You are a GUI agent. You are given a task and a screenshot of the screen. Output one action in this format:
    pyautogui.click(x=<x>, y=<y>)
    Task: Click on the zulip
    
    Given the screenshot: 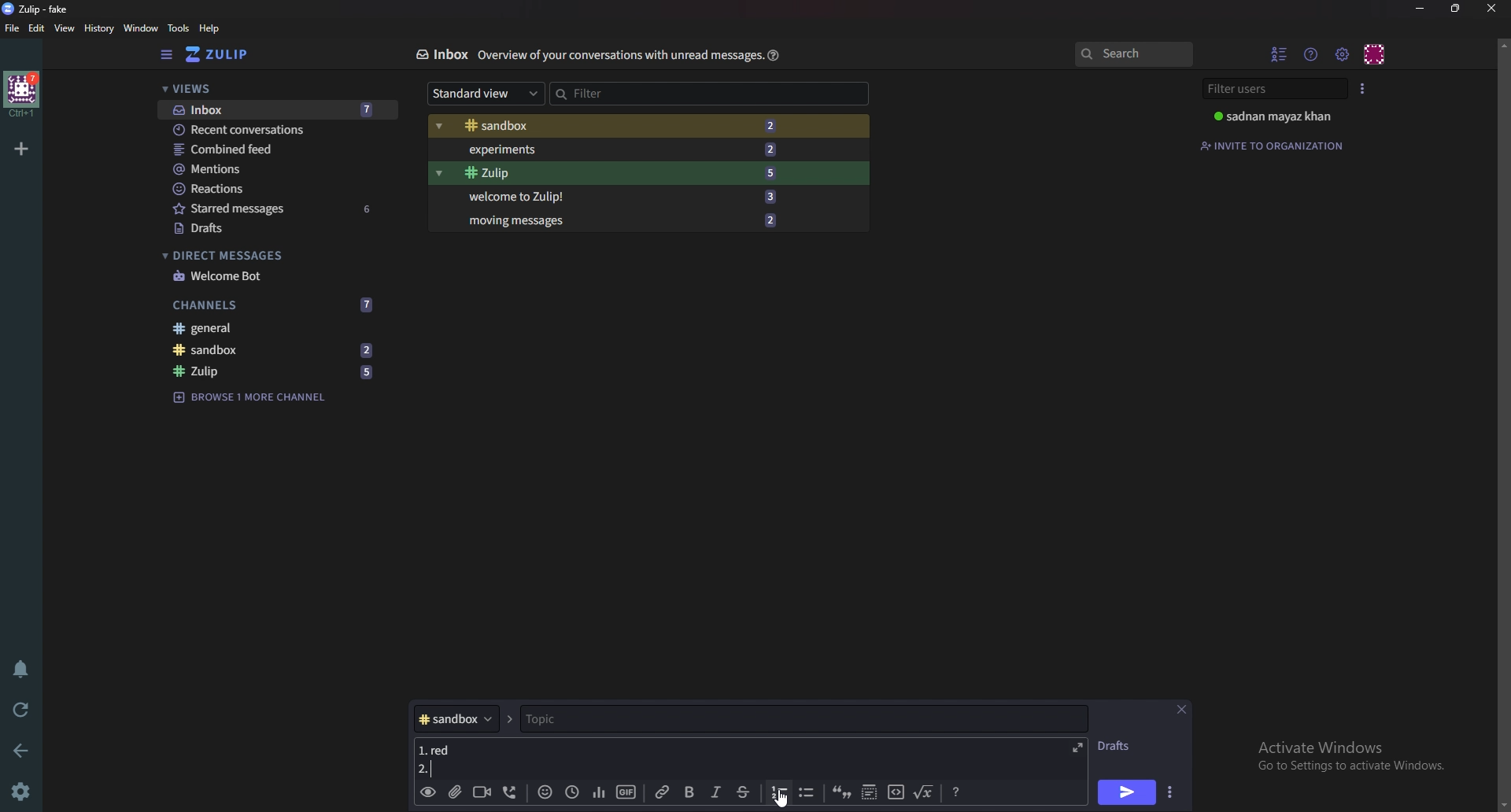 What is the action you would take?
    pyautogui.click(x=279, y=372)
    